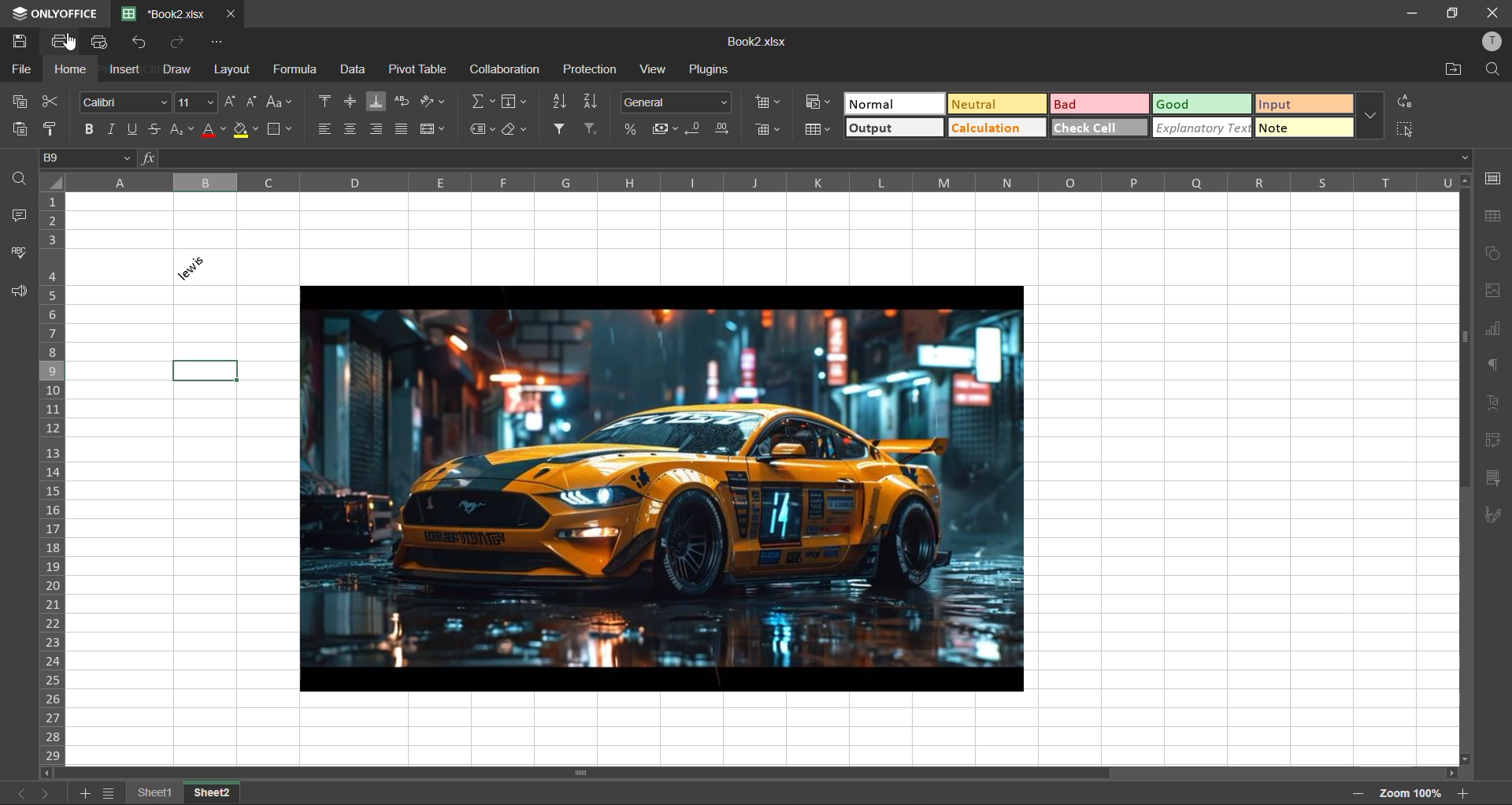  What do you see at coordinates (152, 131) in the screenshot?
I see `strikethrough` at bounding box center [152, 131].